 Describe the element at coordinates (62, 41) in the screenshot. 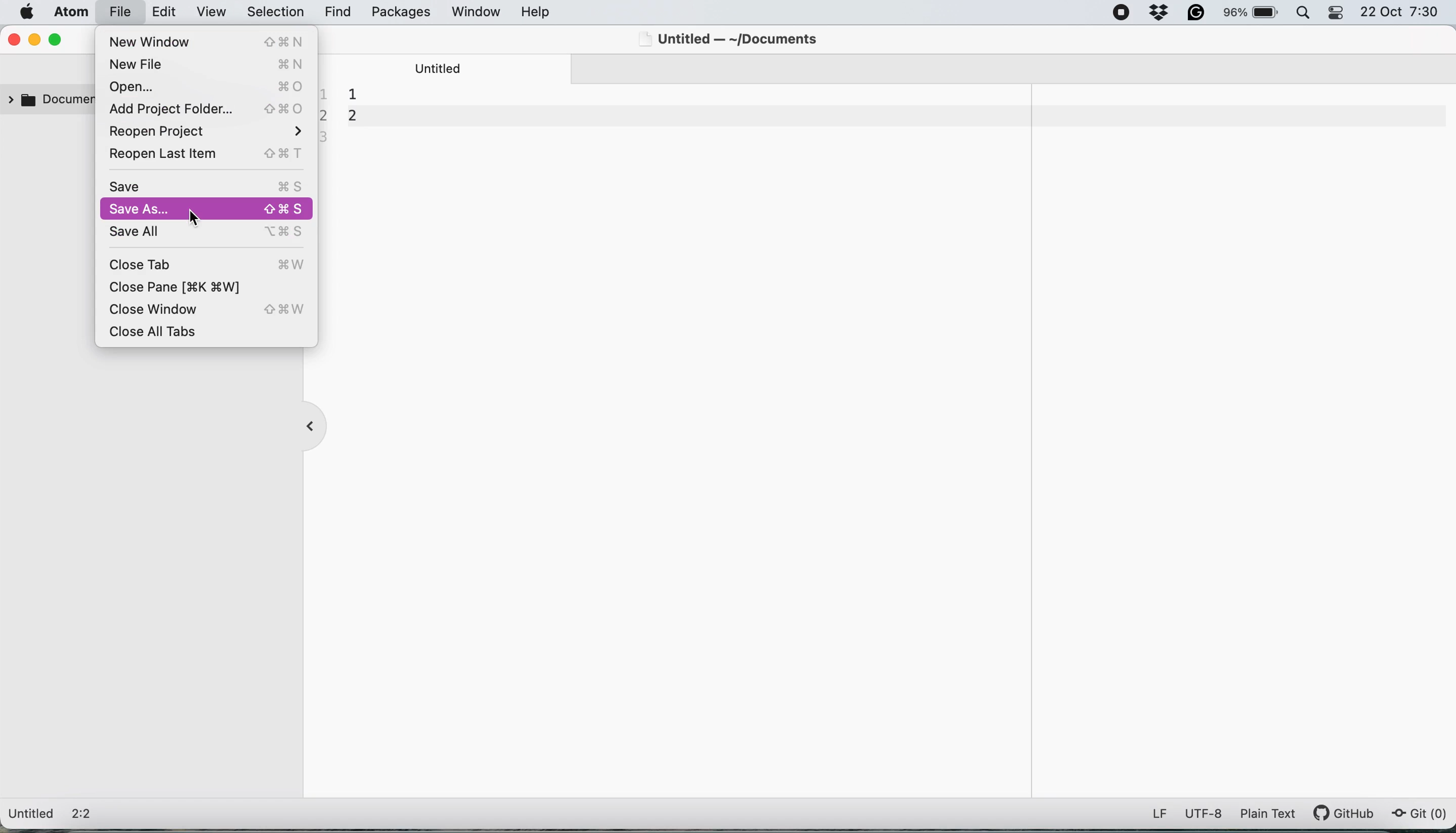

I see `maximise` at that location.